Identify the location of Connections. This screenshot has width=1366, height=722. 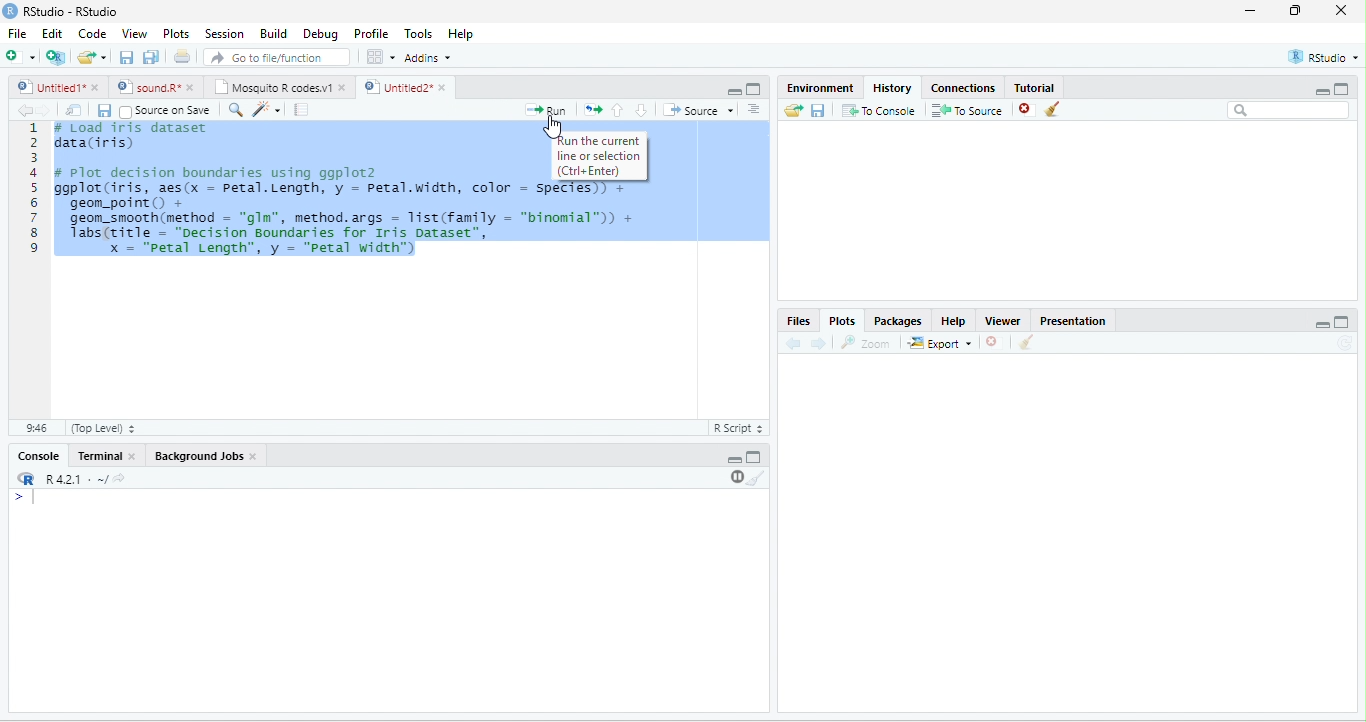
(962, 88).